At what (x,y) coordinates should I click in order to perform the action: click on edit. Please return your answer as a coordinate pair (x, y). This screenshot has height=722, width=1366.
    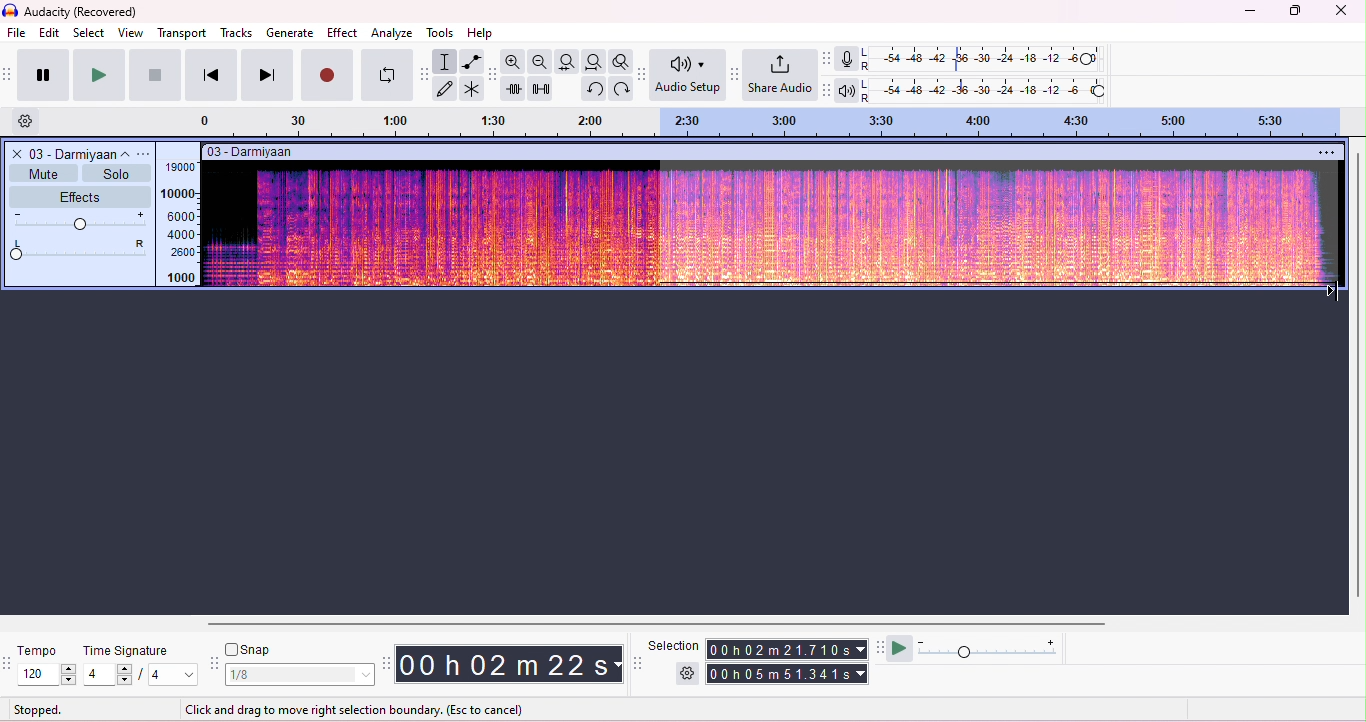
    Looking at the image, I should click on (50, 32).